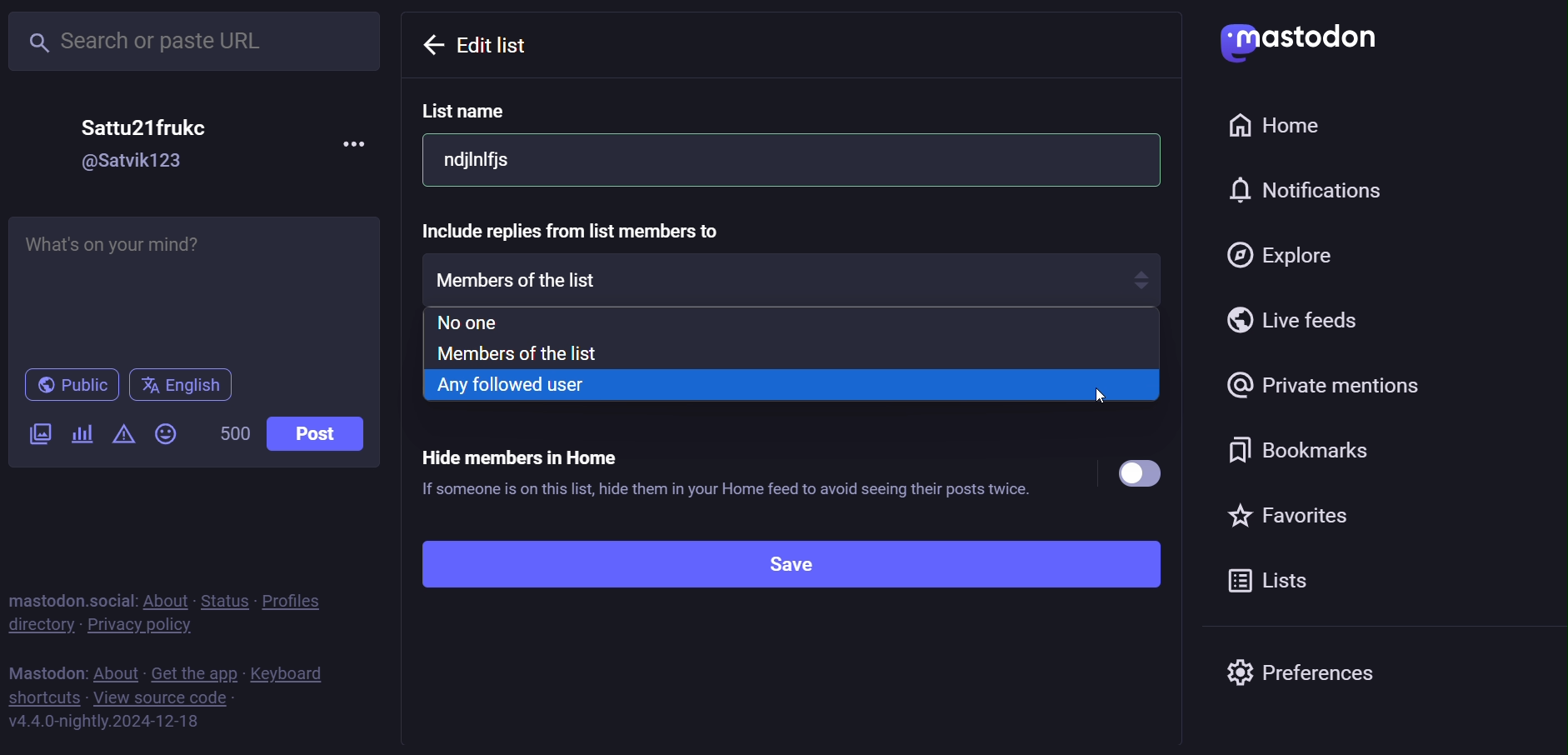  What do you see at coordinates (39, 623) in the screenshot?
I see `directory` at bounding box center [39, 623].